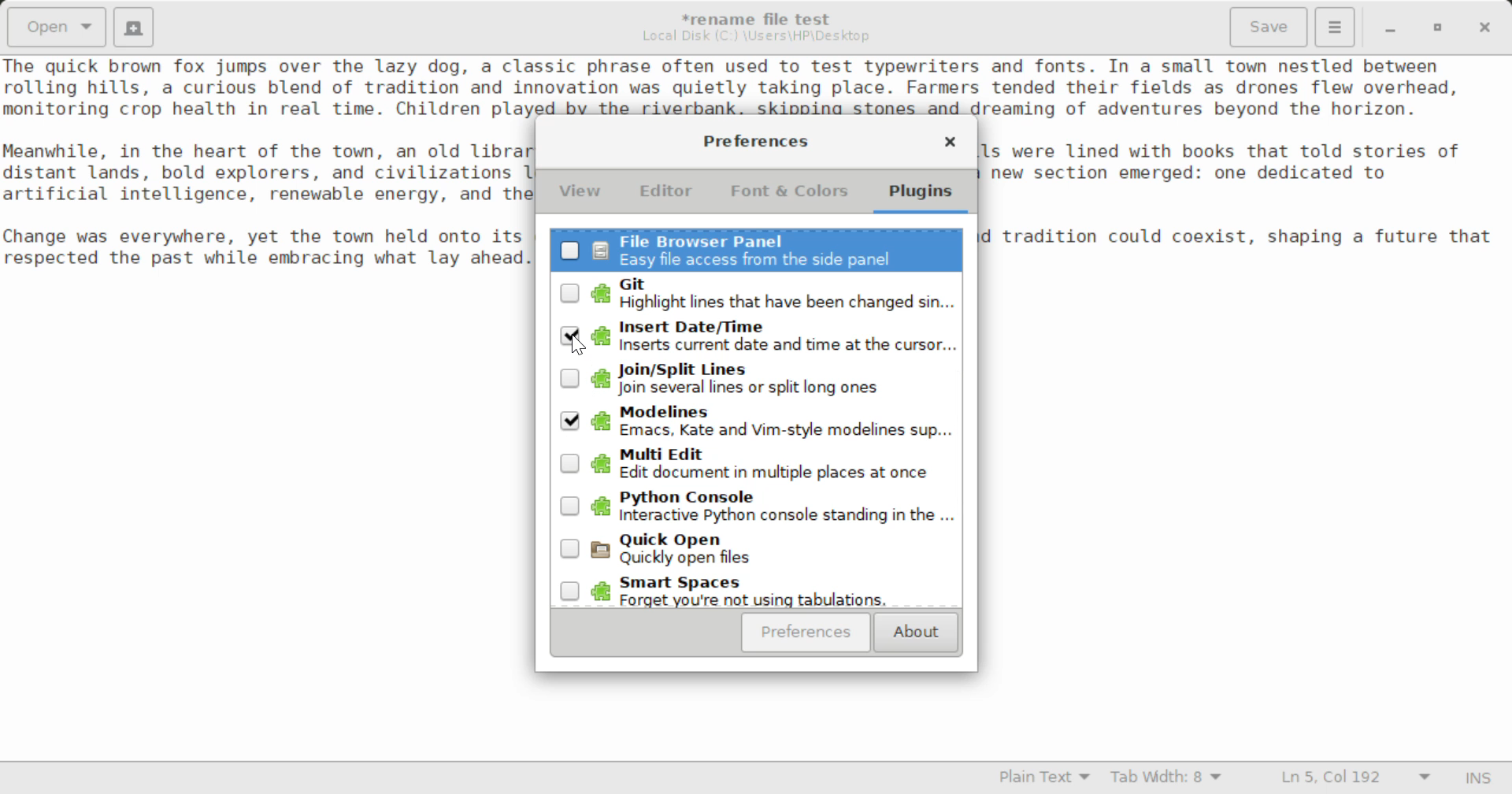  I want to click on Line & Character Count, so click(1356, 779).